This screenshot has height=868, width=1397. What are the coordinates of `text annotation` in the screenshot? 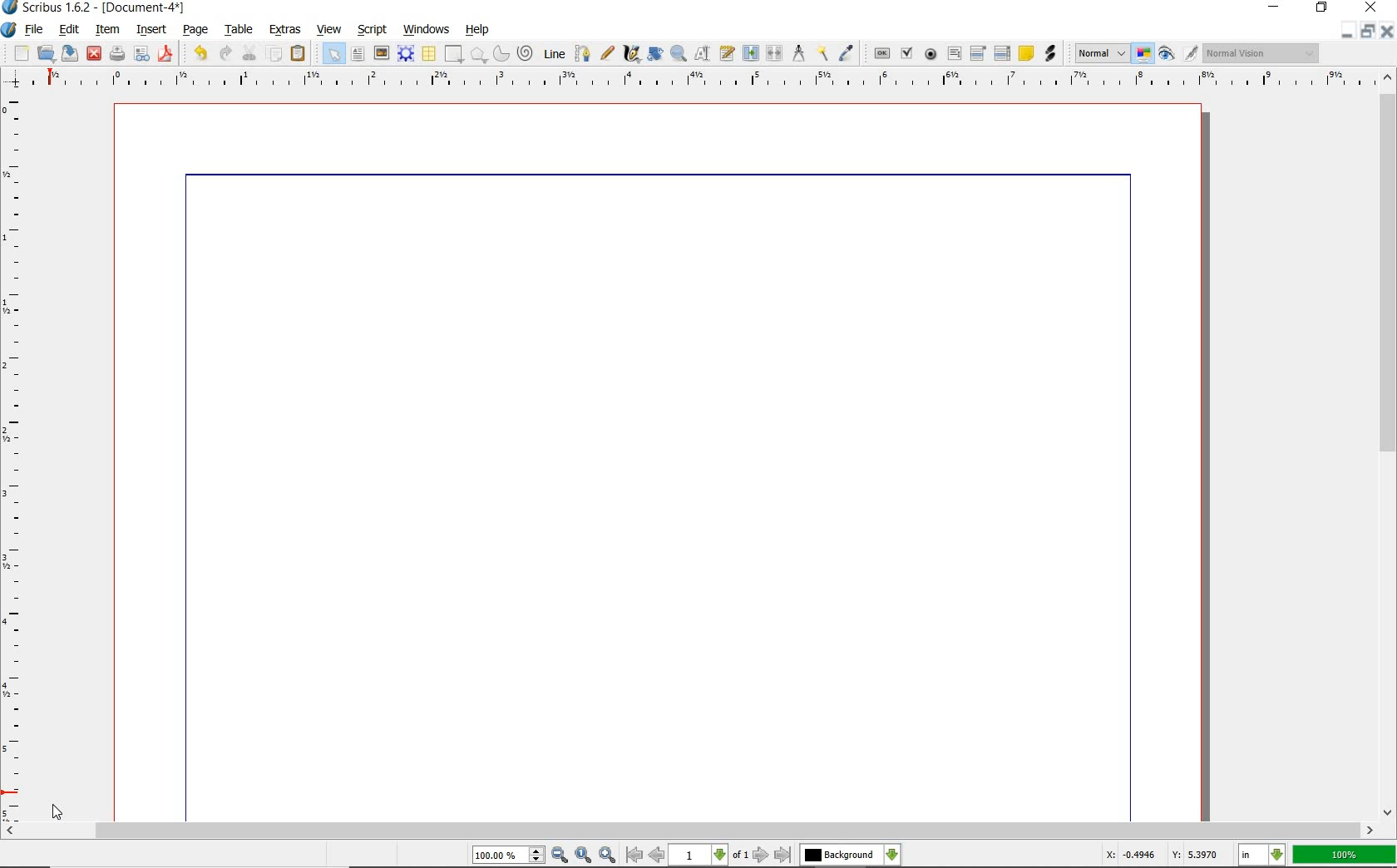 It's located at (1025, 54).